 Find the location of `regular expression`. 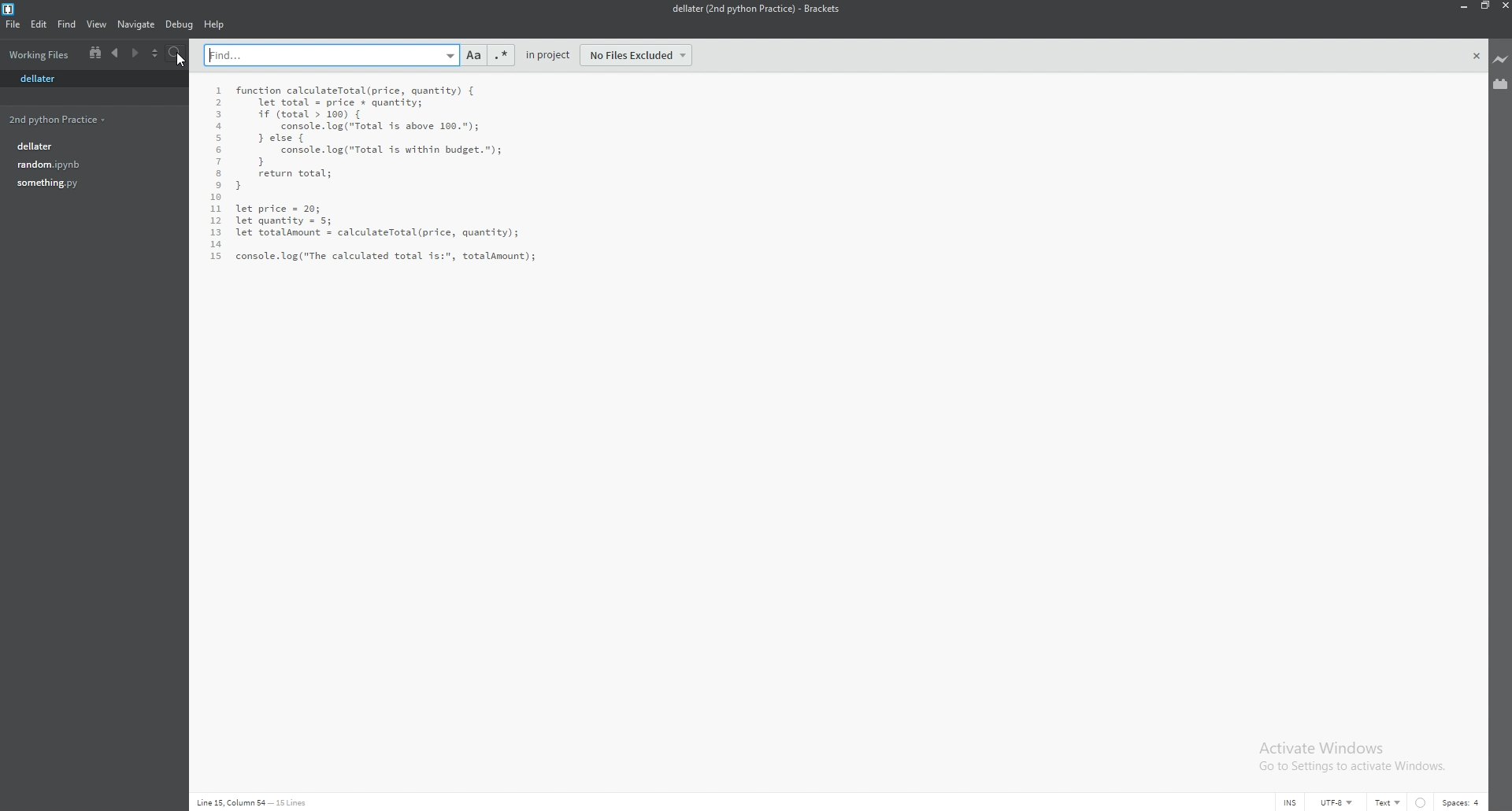

regular expression is located at coordinates (499, 55).